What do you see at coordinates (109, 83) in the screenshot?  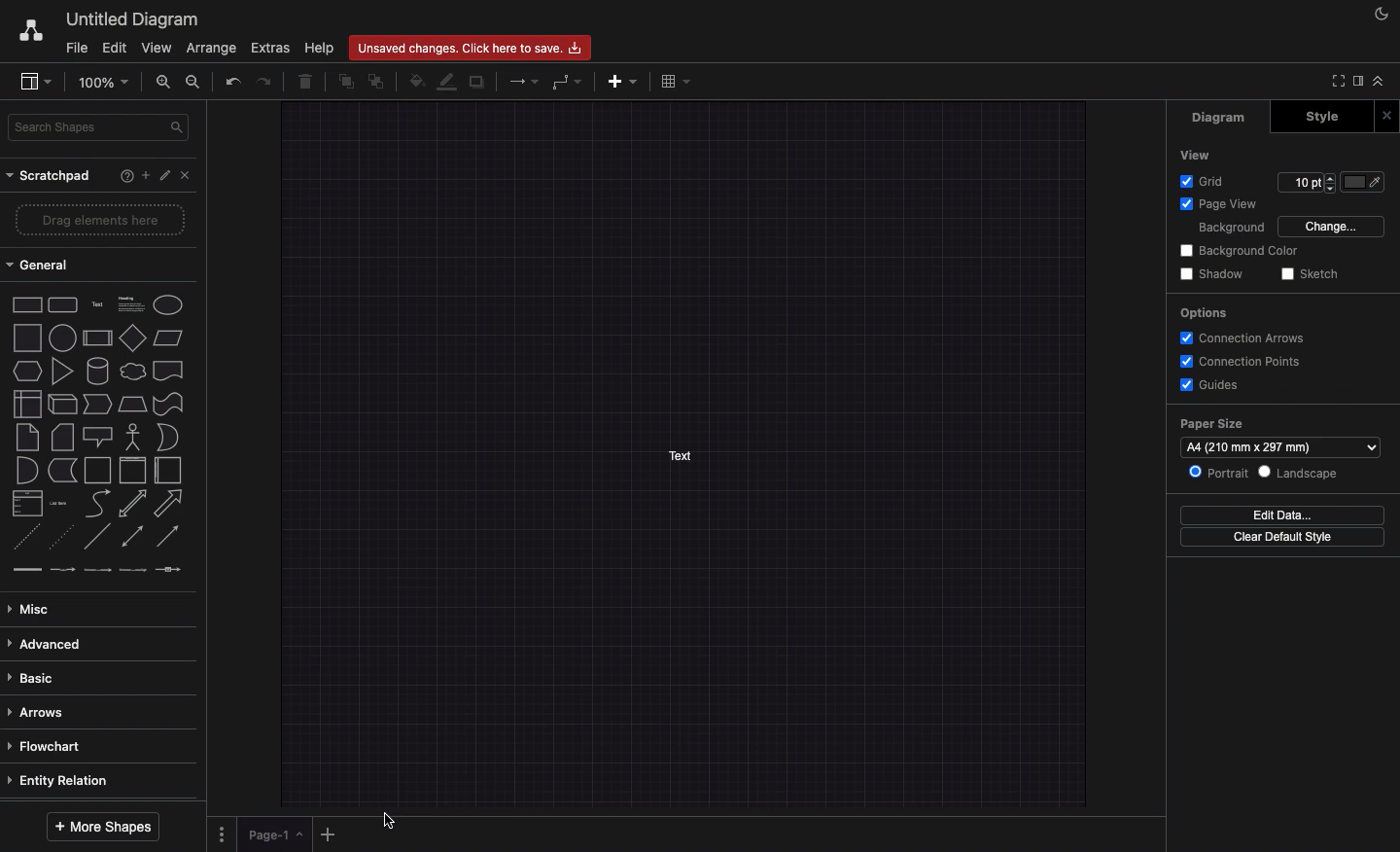 I see `Zoom` at bounding box center [109, 83].